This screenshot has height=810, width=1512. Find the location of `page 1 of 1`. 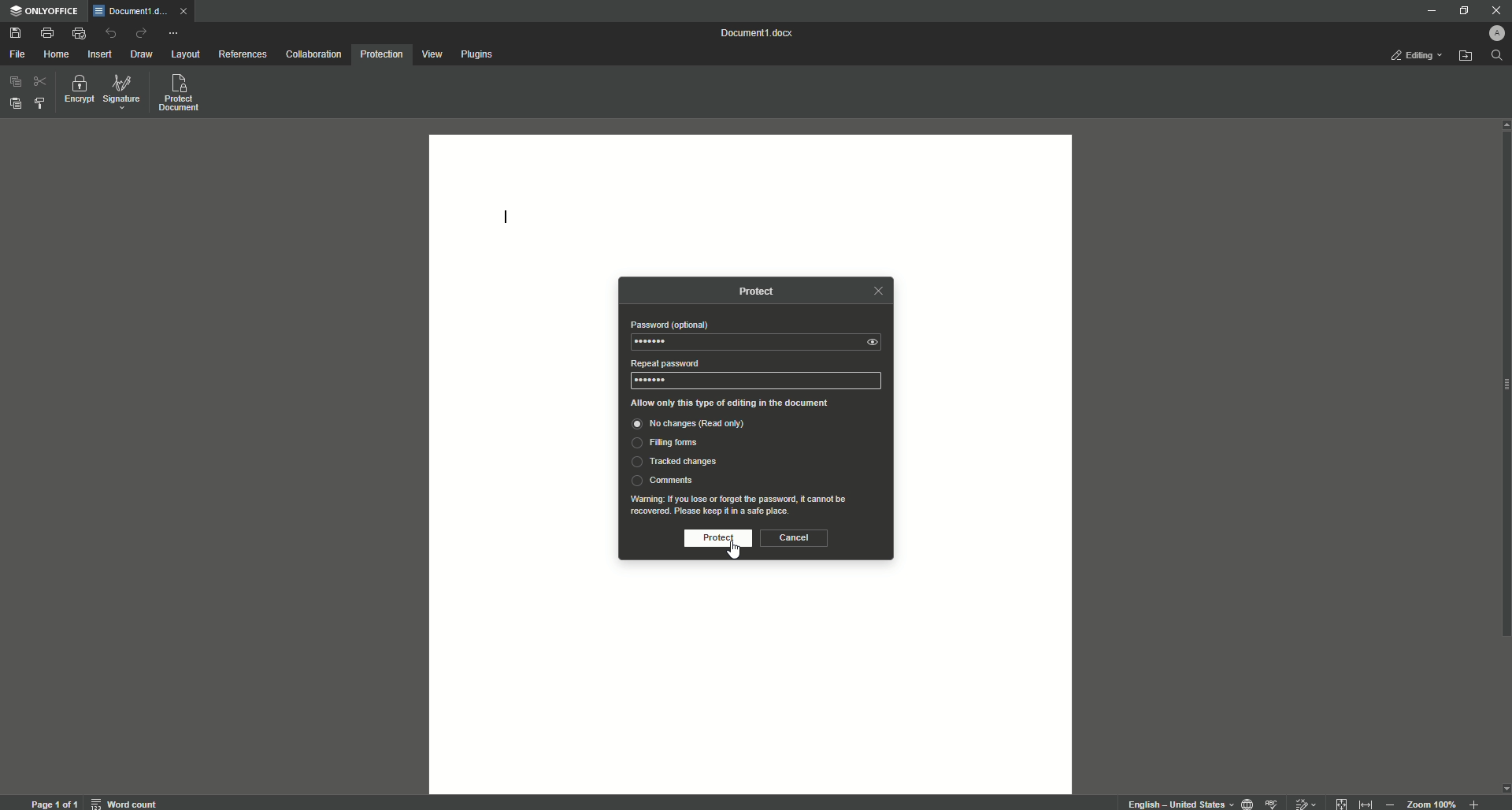

page 1 of 1 is located at coordinates (54, 801).